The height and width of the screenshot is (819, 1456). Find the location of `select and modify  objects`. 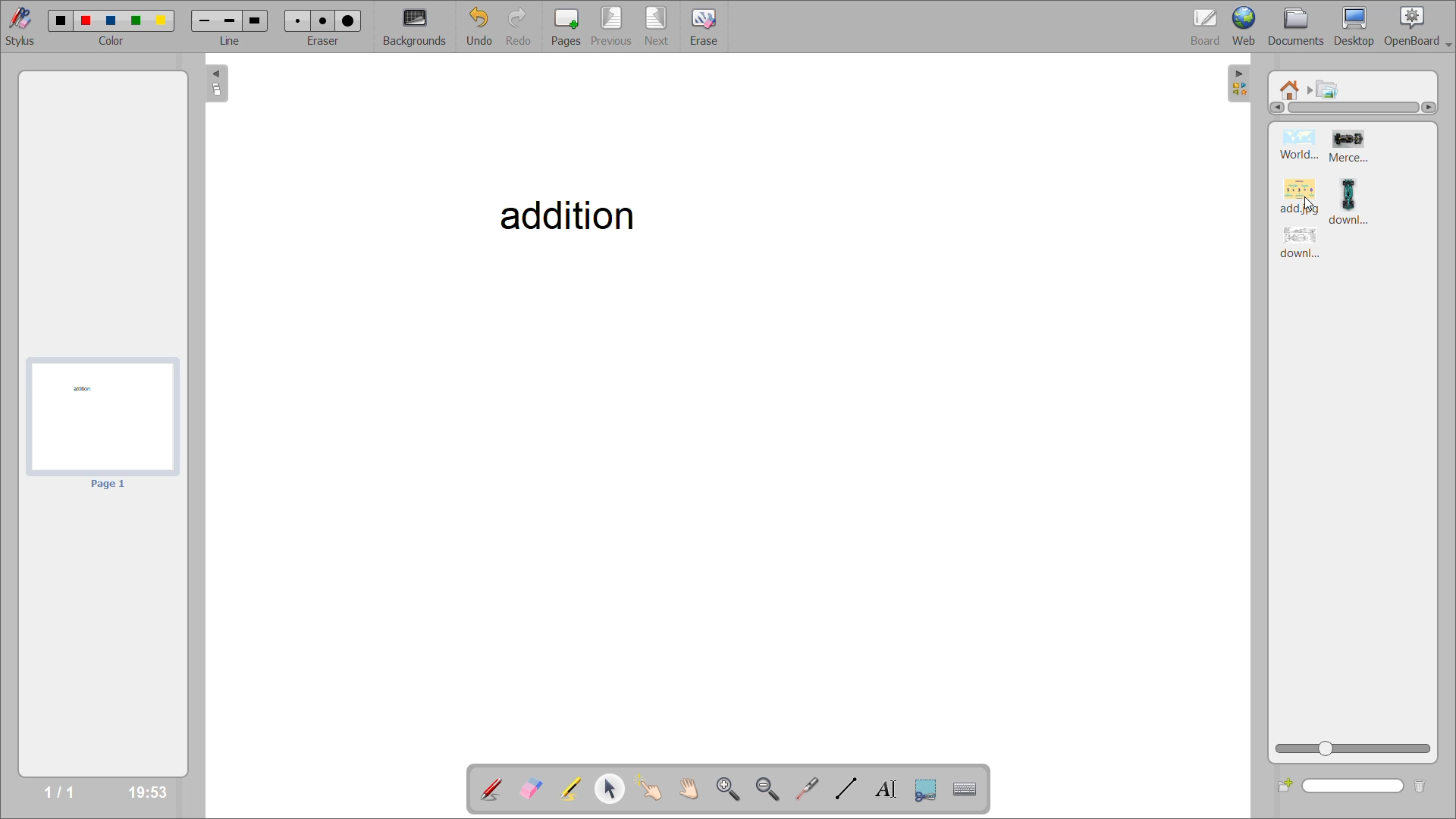

select and modify  objects is located at coordinates (613, 790).